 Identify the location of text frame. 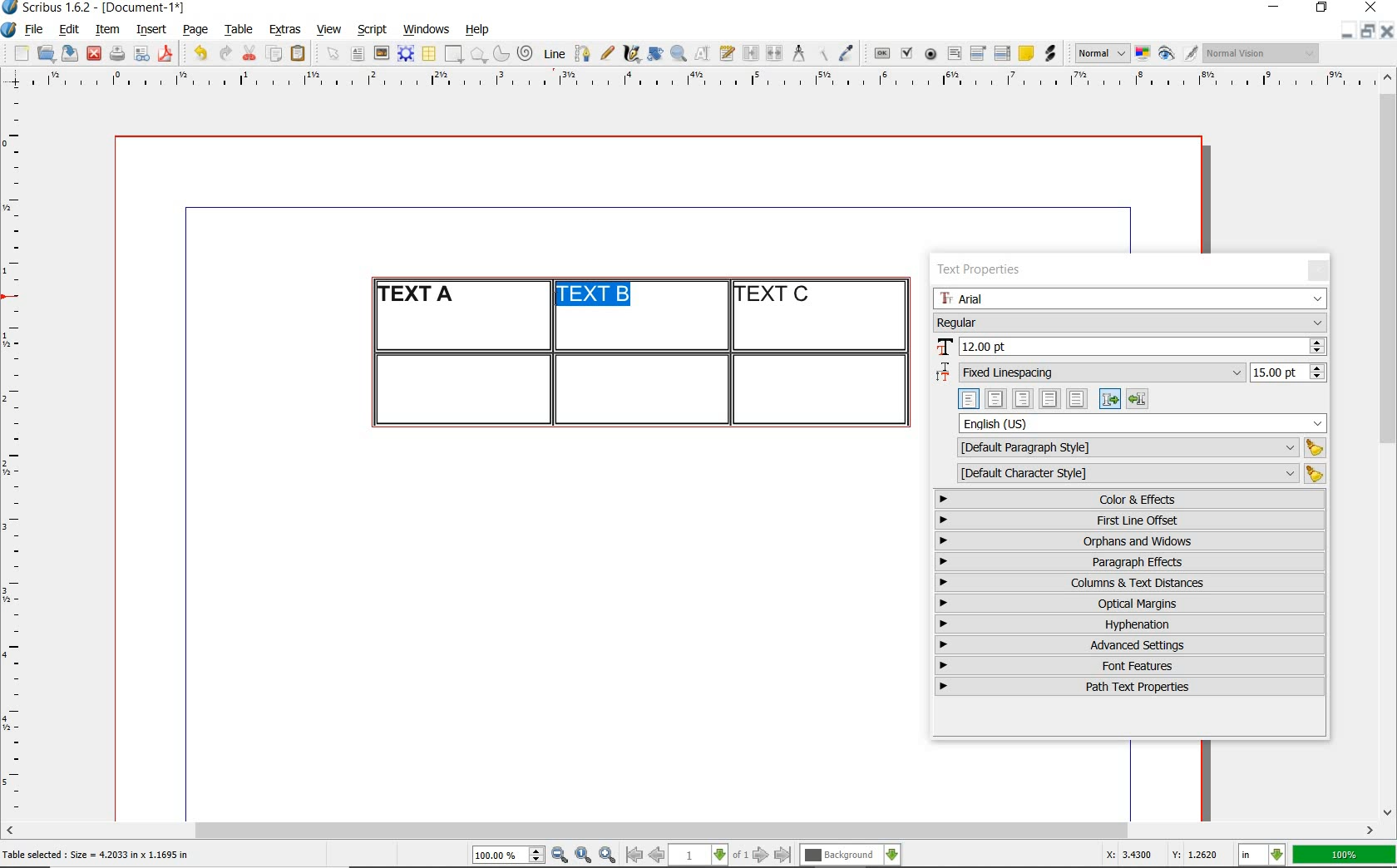
(357, 55).